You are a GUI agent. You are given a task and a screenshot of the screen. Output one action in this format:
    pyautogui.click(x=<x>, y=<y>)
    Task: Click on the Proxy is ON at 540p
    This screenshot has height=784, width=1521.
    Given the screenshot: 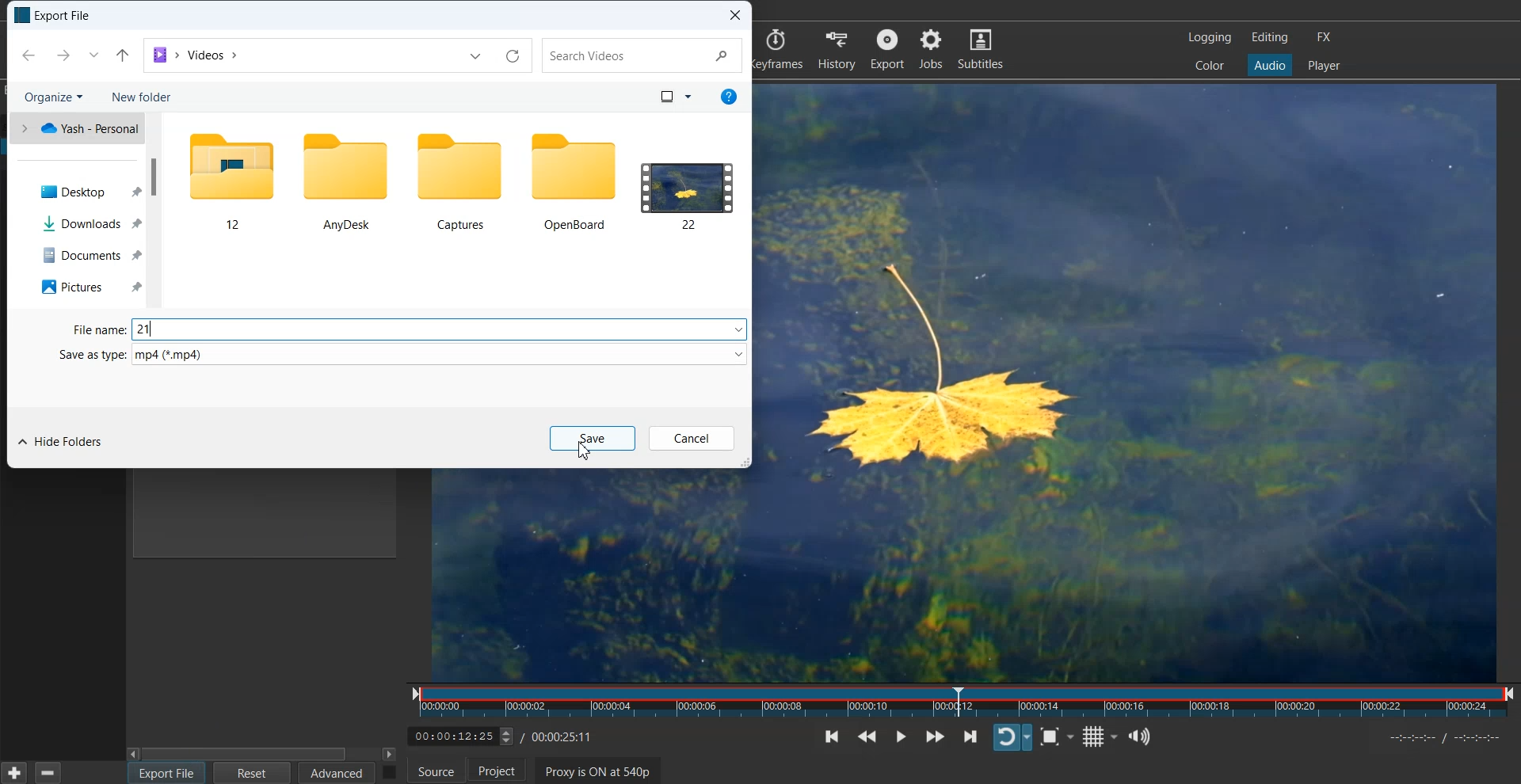 What is the action you would take?
    pyautogui.click(x=605, y=772)
    